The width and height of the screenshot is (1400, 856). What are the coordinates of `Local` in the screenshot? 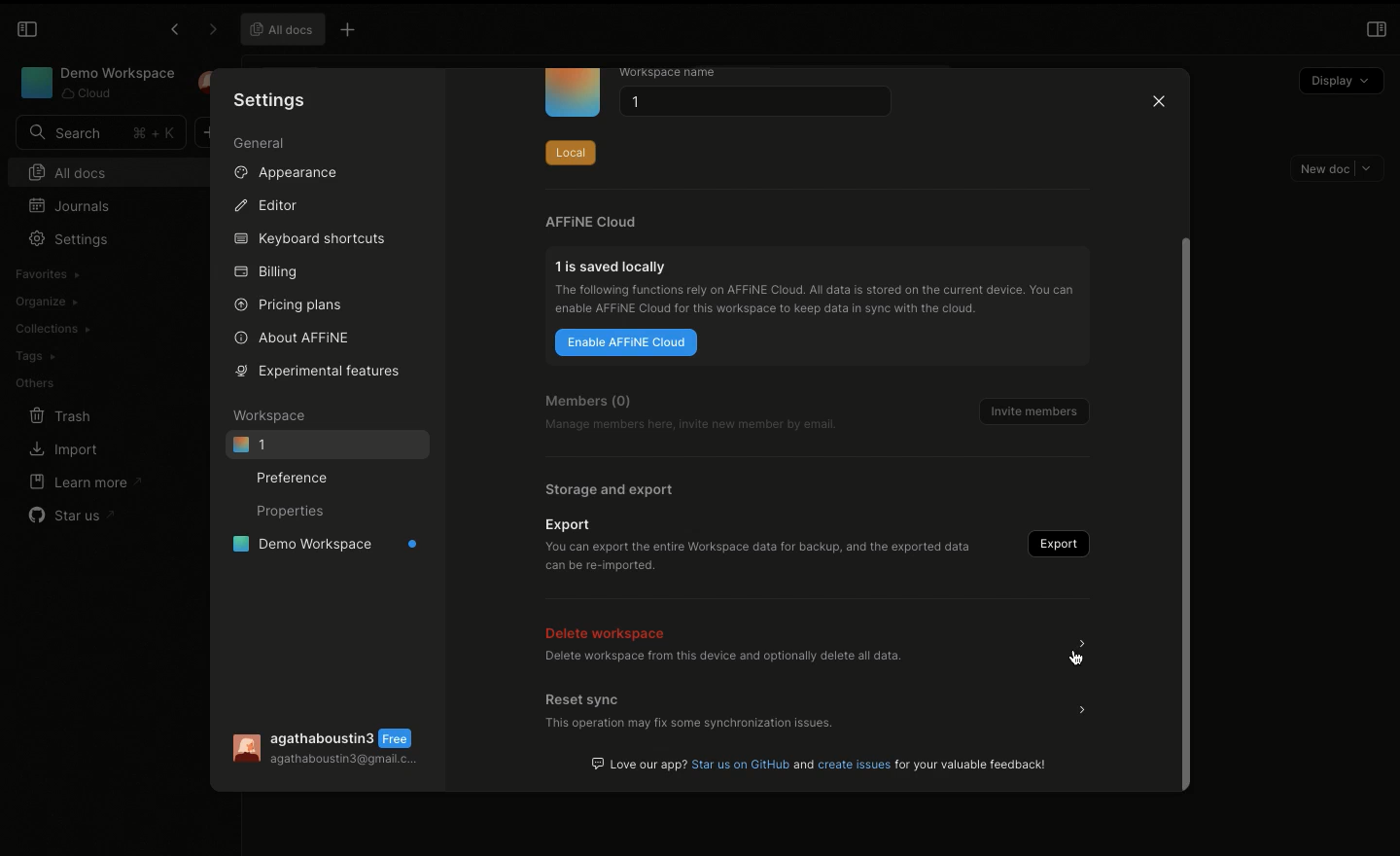 It's located at (570, 149).